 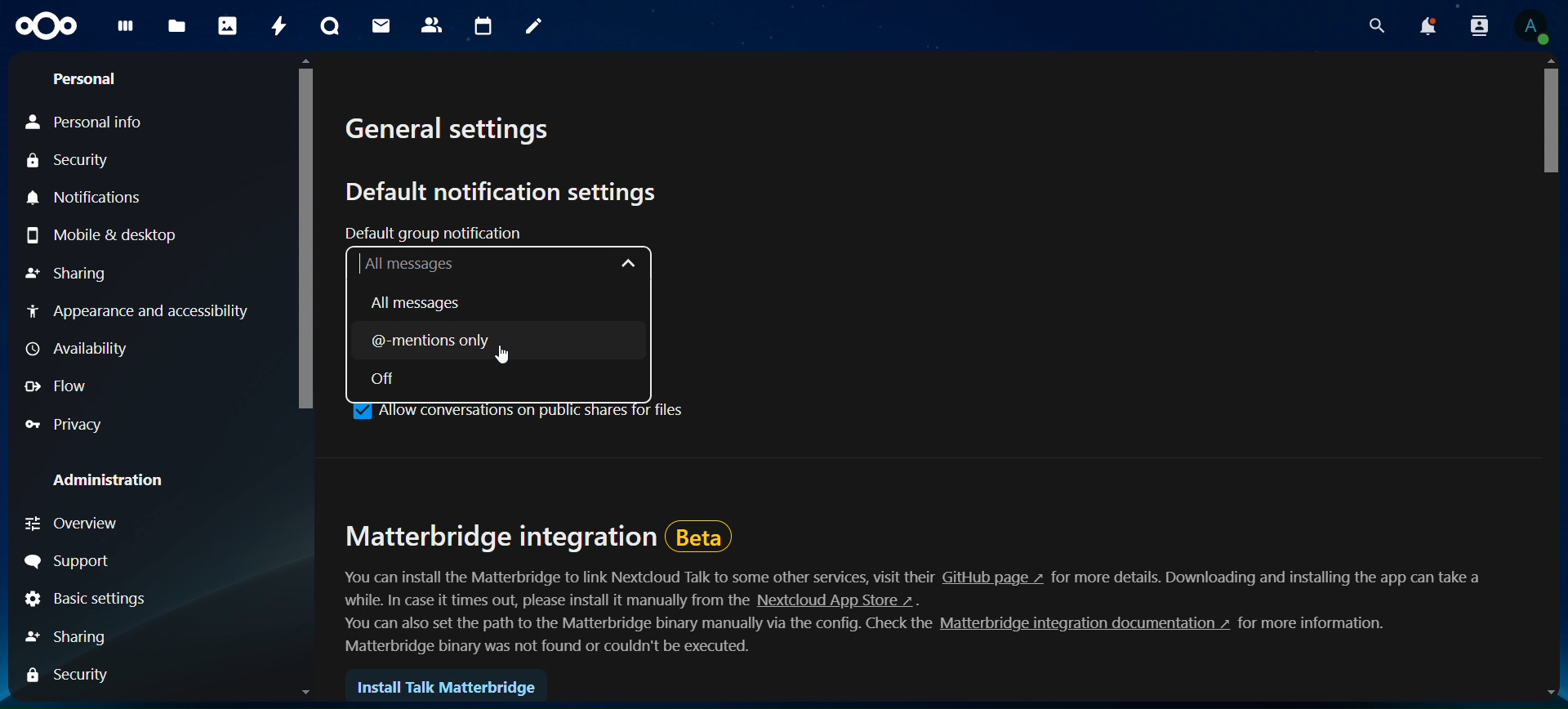 What do you see at coordinates (499, 264) in the screenshot?
I see `all messages` at bounding box center [499, 264].